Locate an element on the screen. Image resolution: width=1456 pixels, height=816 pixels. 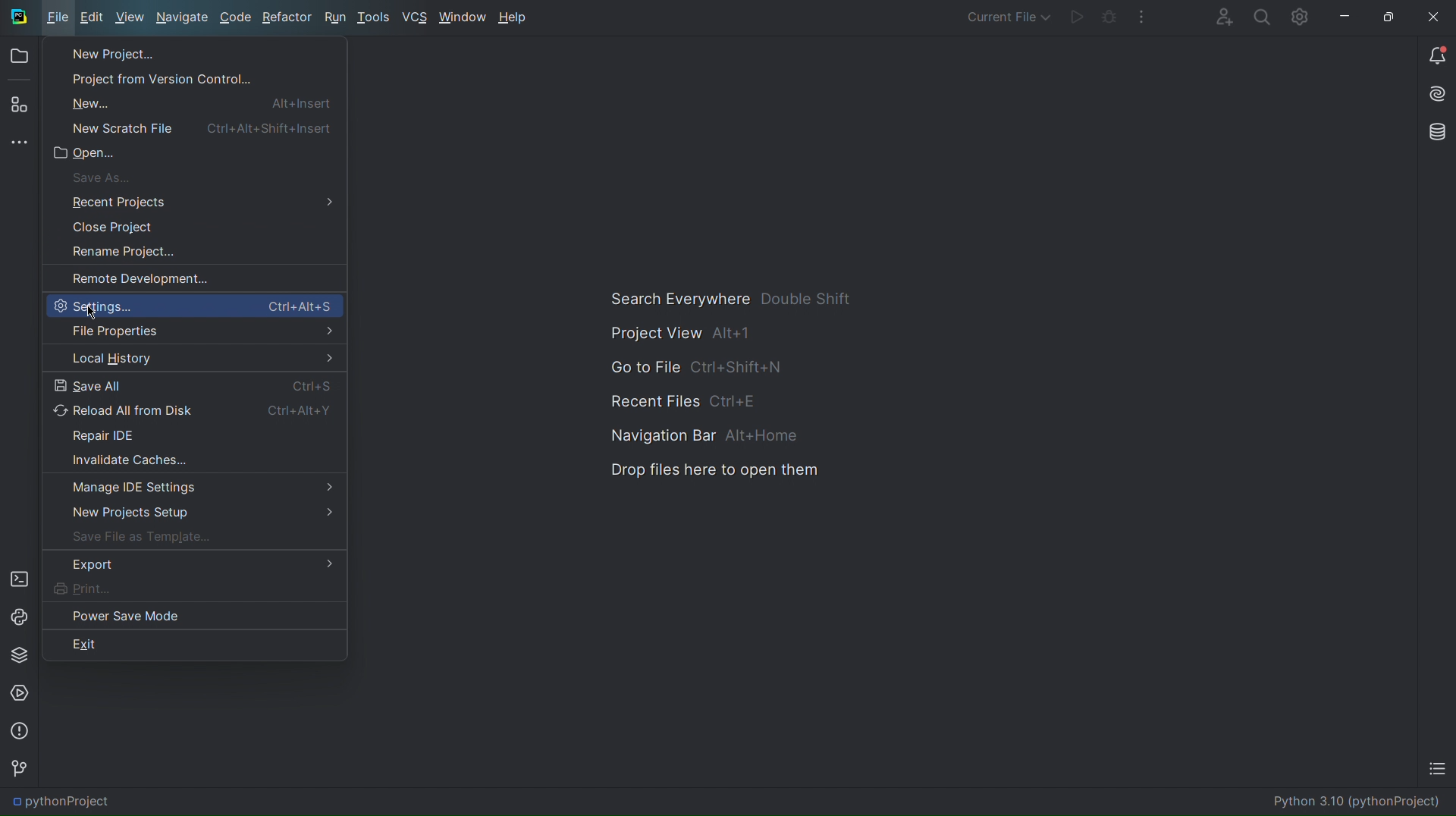
Manage IDE Settings is located at coordinates (195, 488).